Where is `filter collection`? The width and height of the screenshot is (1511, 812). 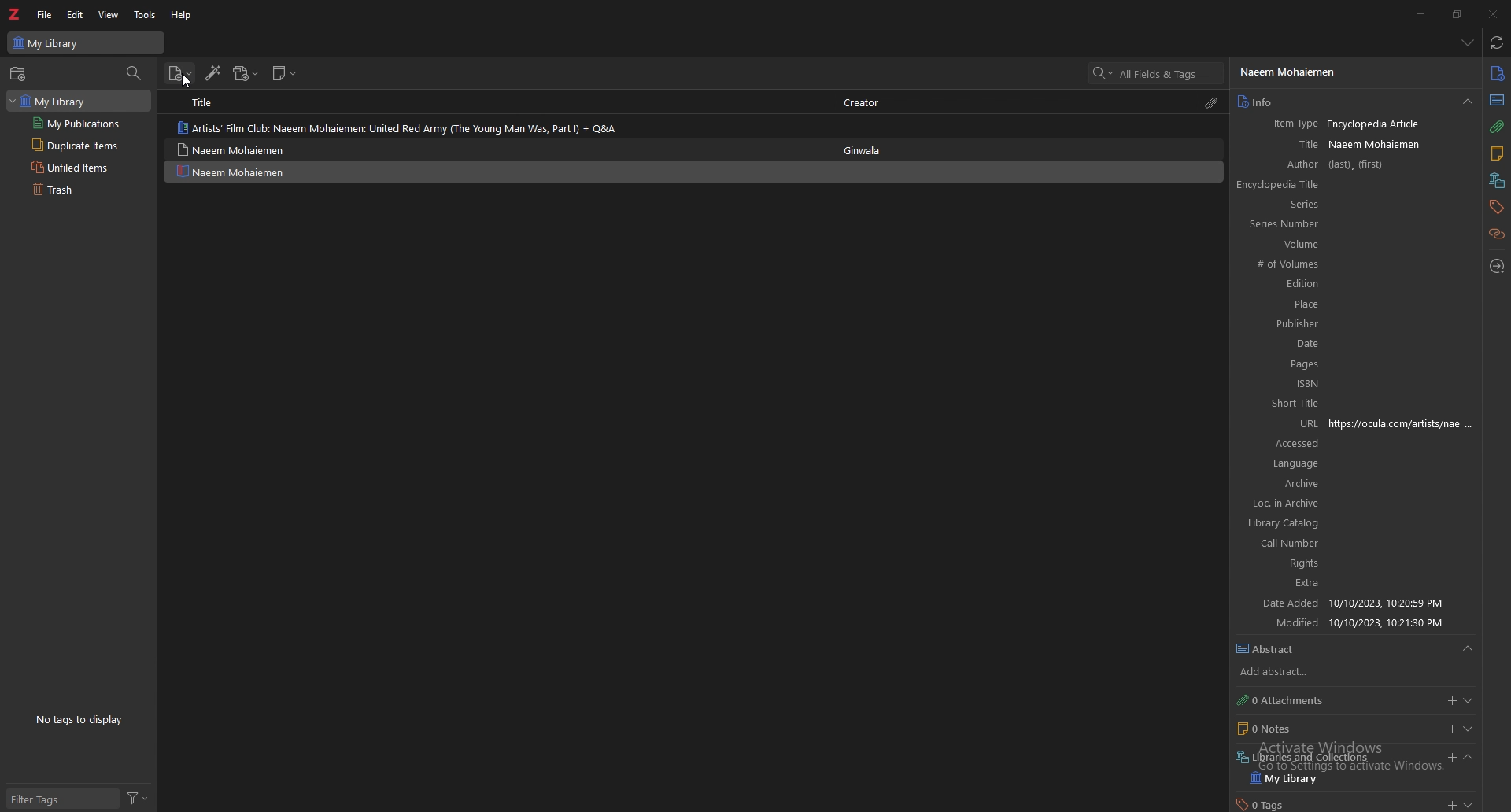 filter collection is located at coordinates (135, 75).